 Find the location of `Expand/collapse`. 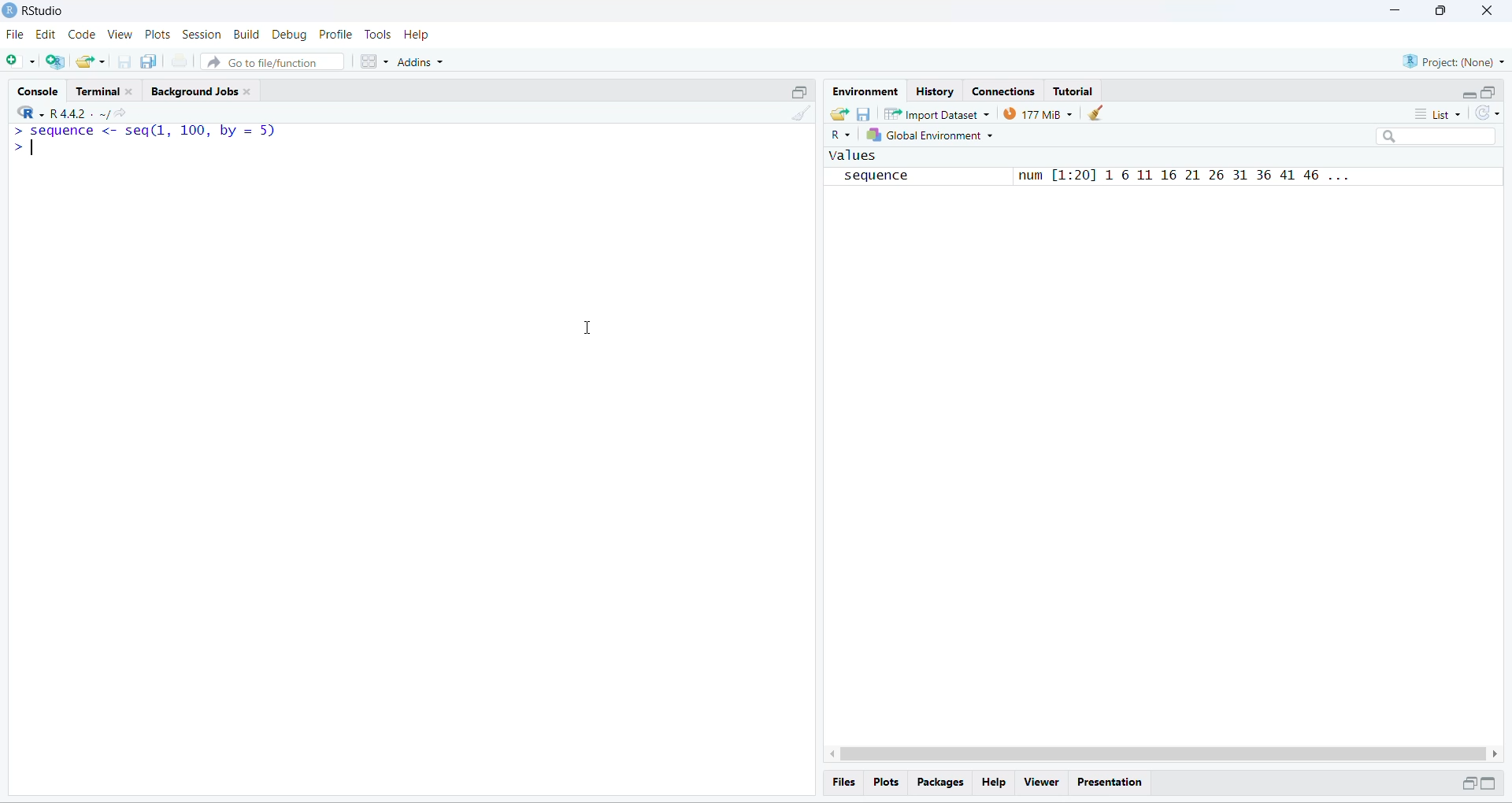

Expand/collapse is located at coordinates (1468, 94).